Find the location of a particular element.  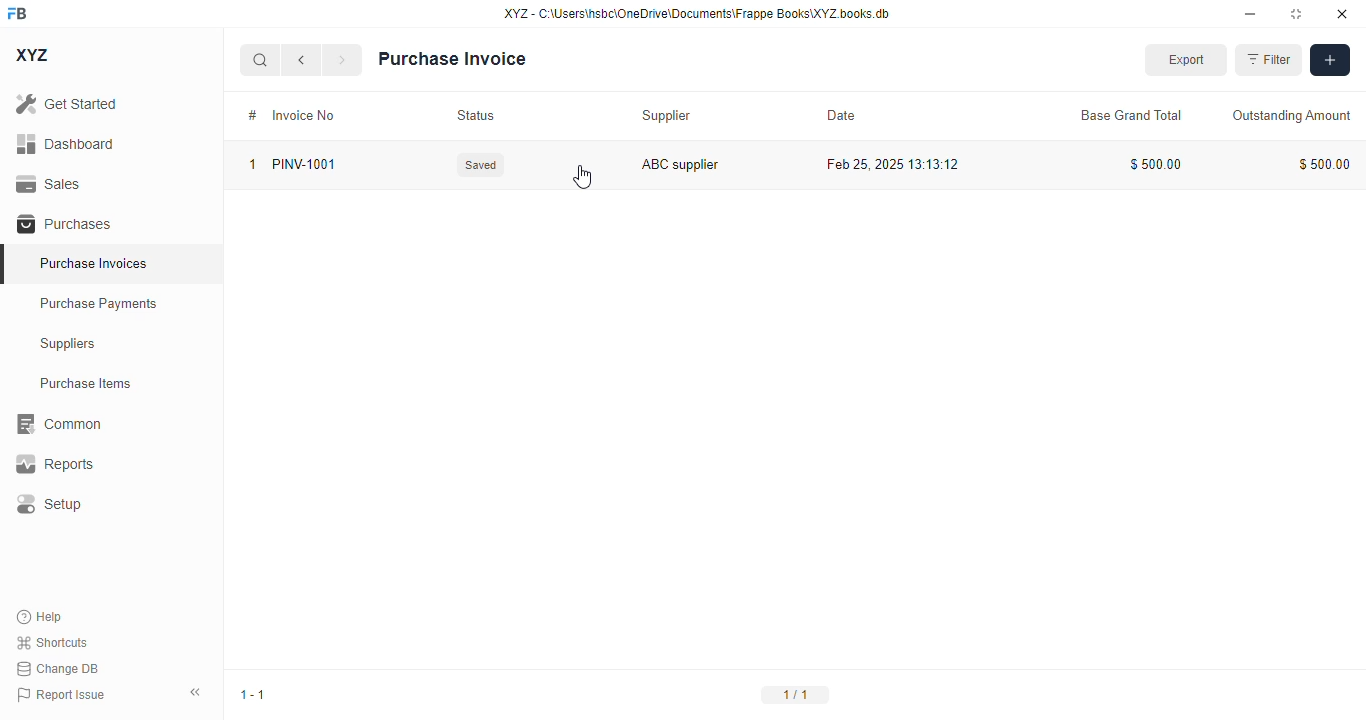

FB - logo is located at coordinates (17, 13).